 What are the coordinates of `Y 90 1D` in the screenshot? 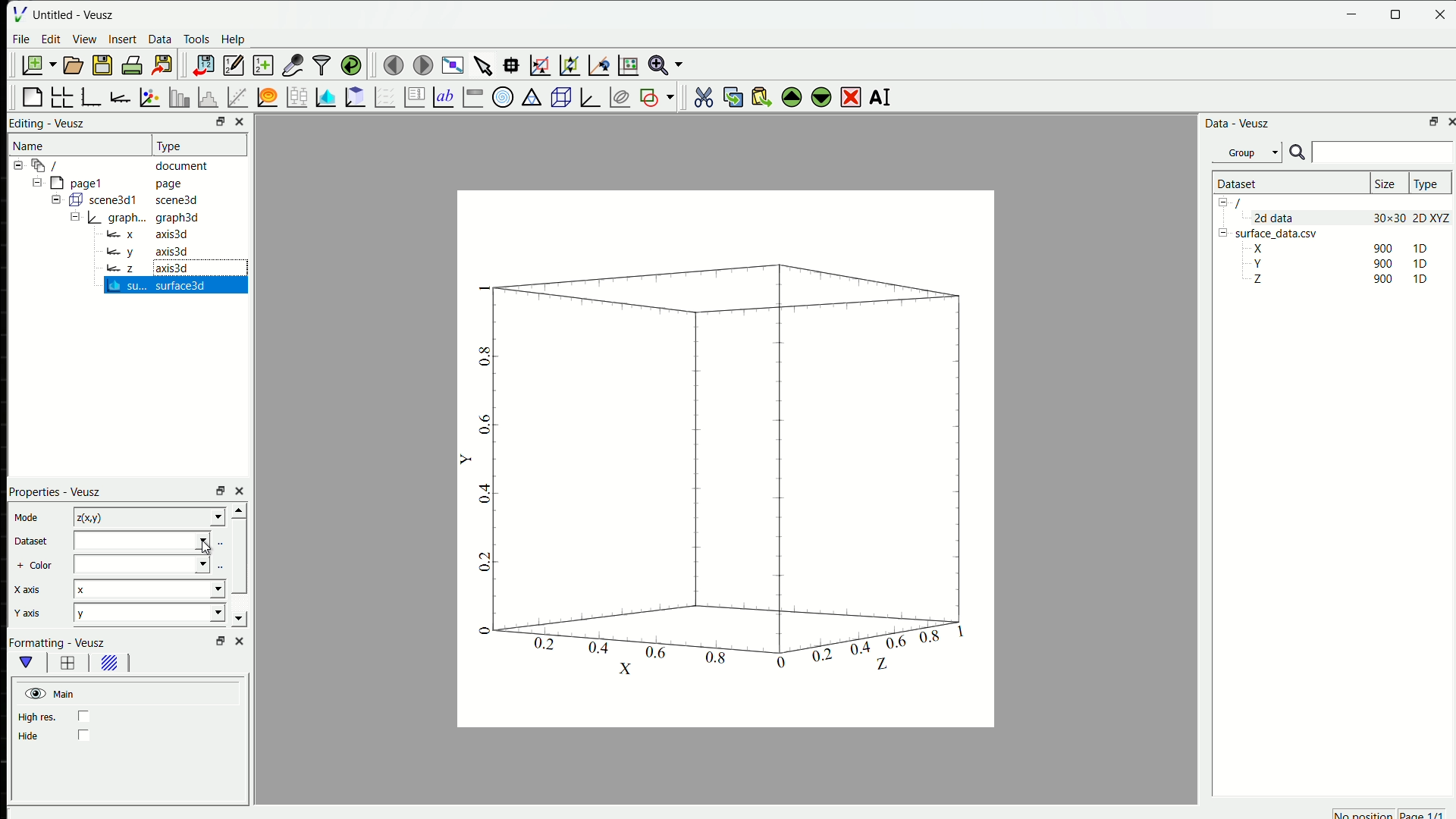 It's located at (1336, 263).